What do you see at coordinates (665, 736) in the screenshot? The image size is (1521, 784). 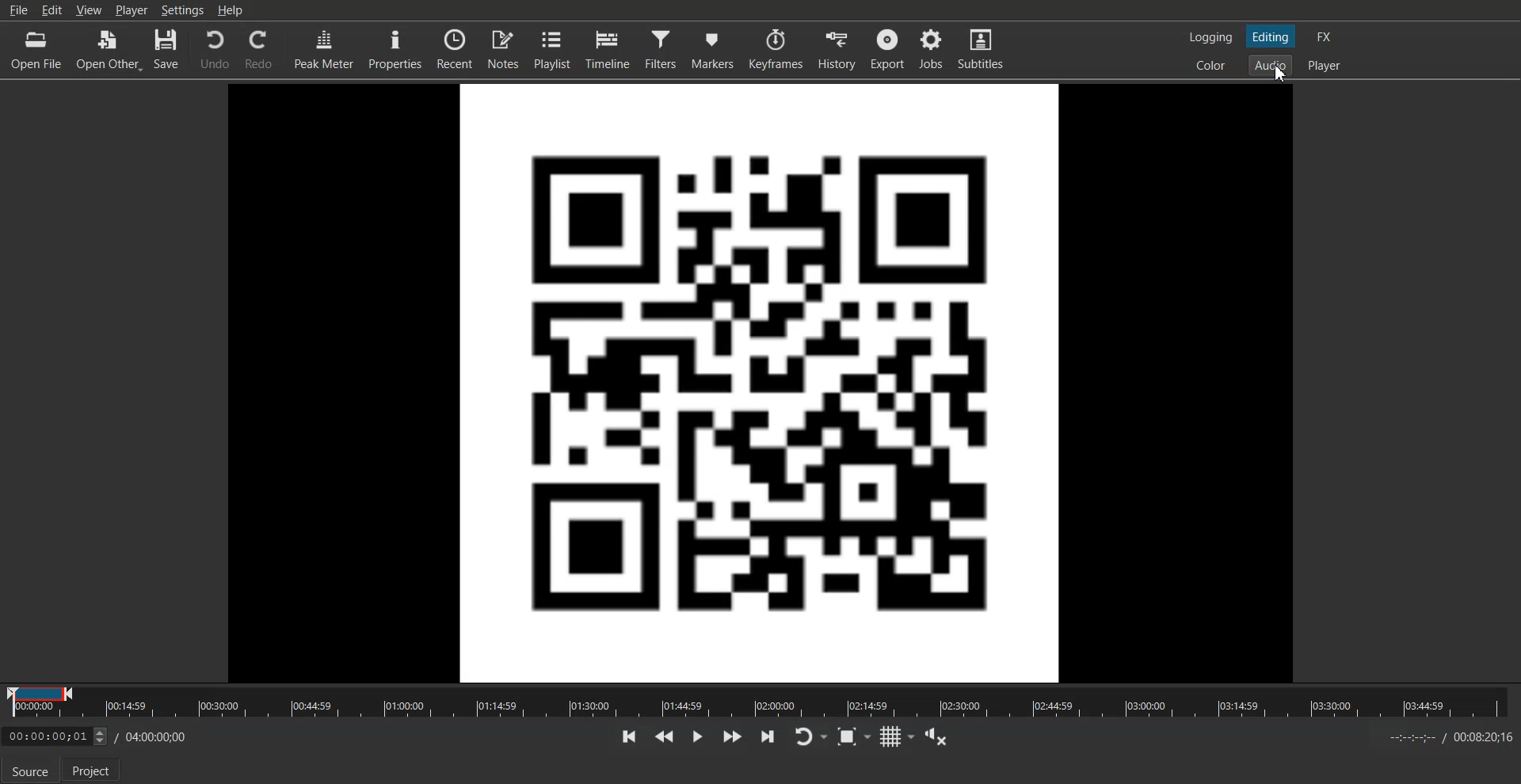 I see `Play quickly backward` at bounding box center [665, 736].